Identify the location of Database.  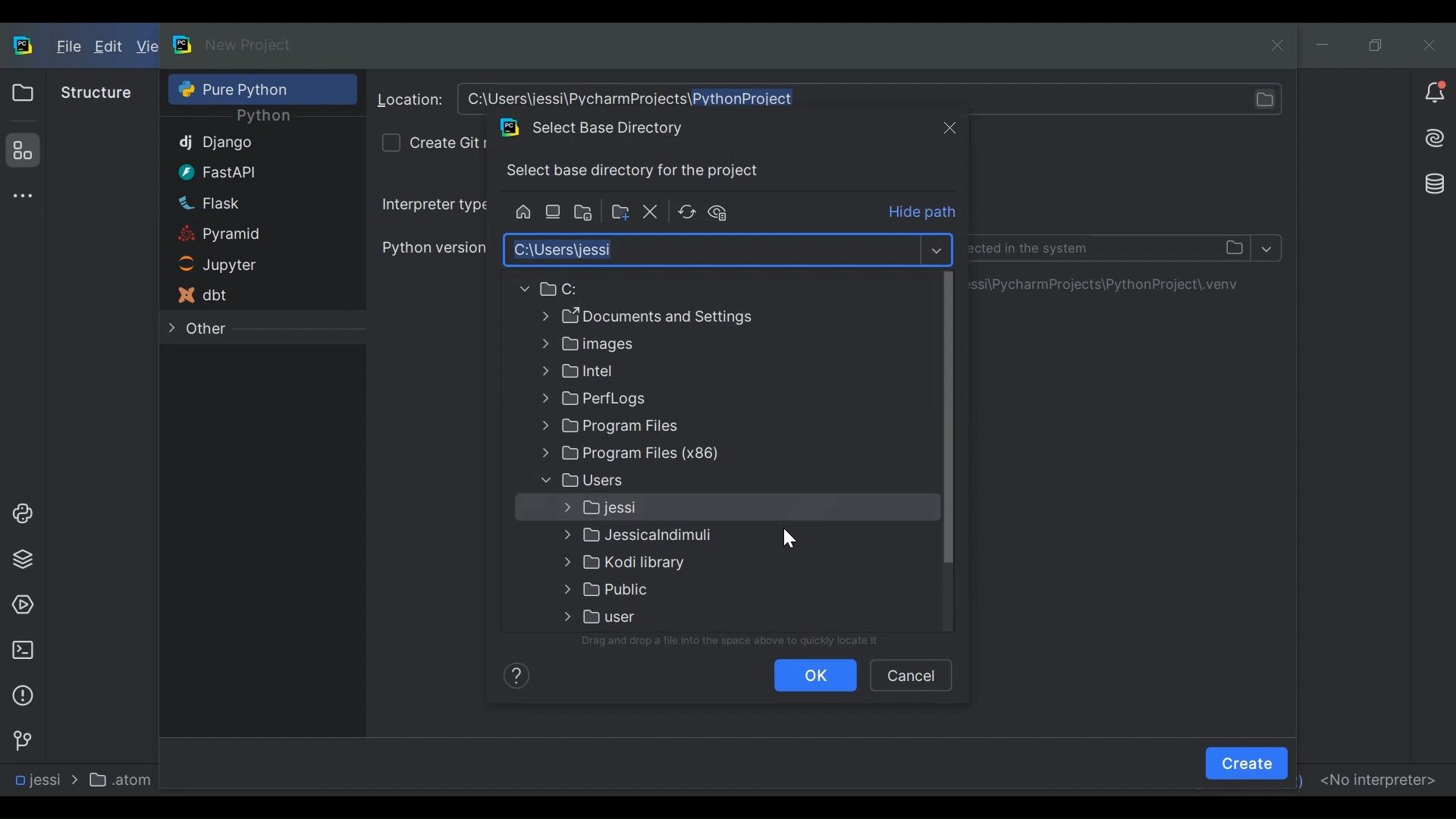
(1431, 182).